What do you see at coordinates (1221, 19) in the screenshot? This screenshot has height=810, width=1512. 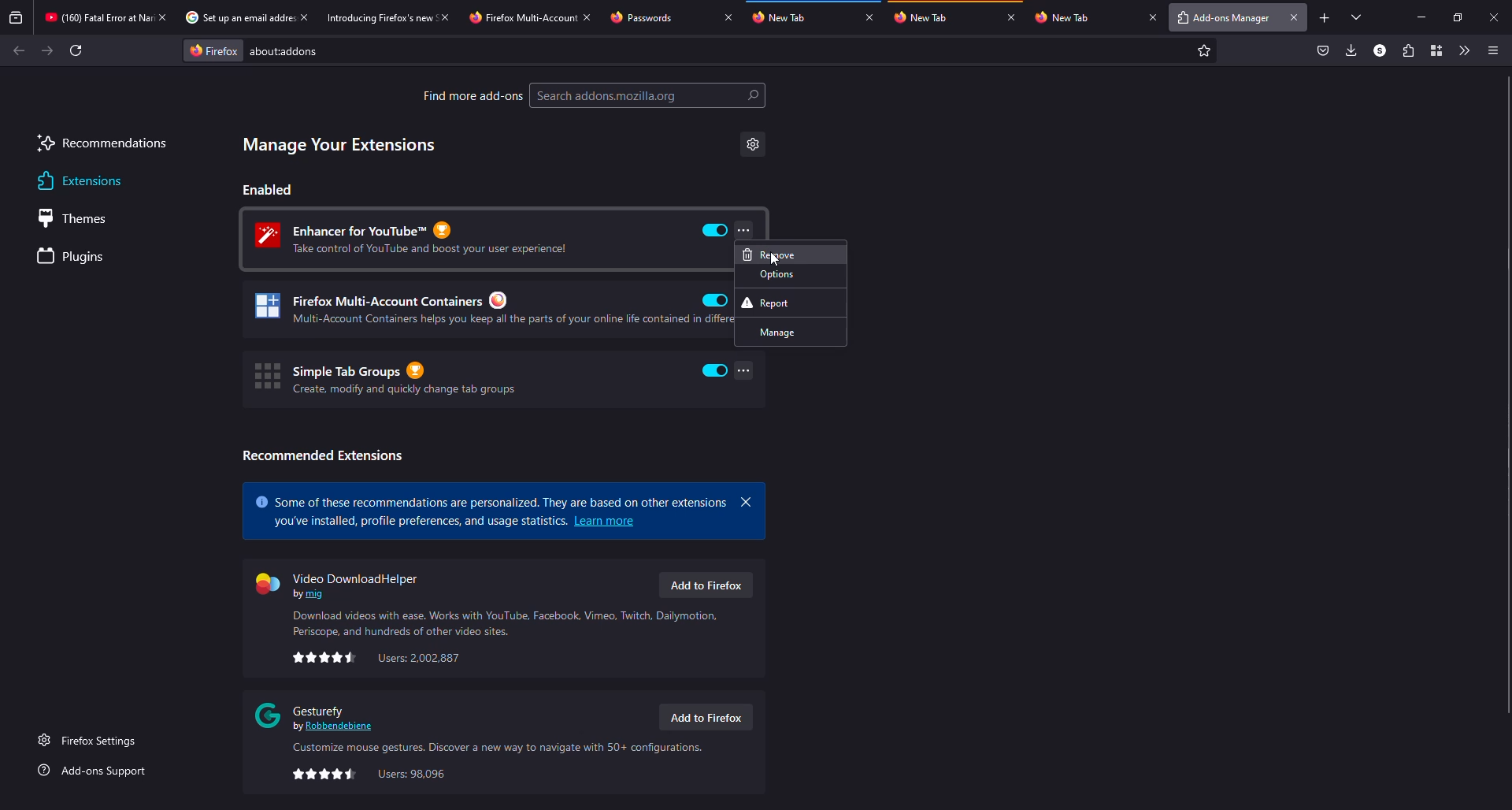 I see `add-ons manager` at bounding box center [1221, 19].